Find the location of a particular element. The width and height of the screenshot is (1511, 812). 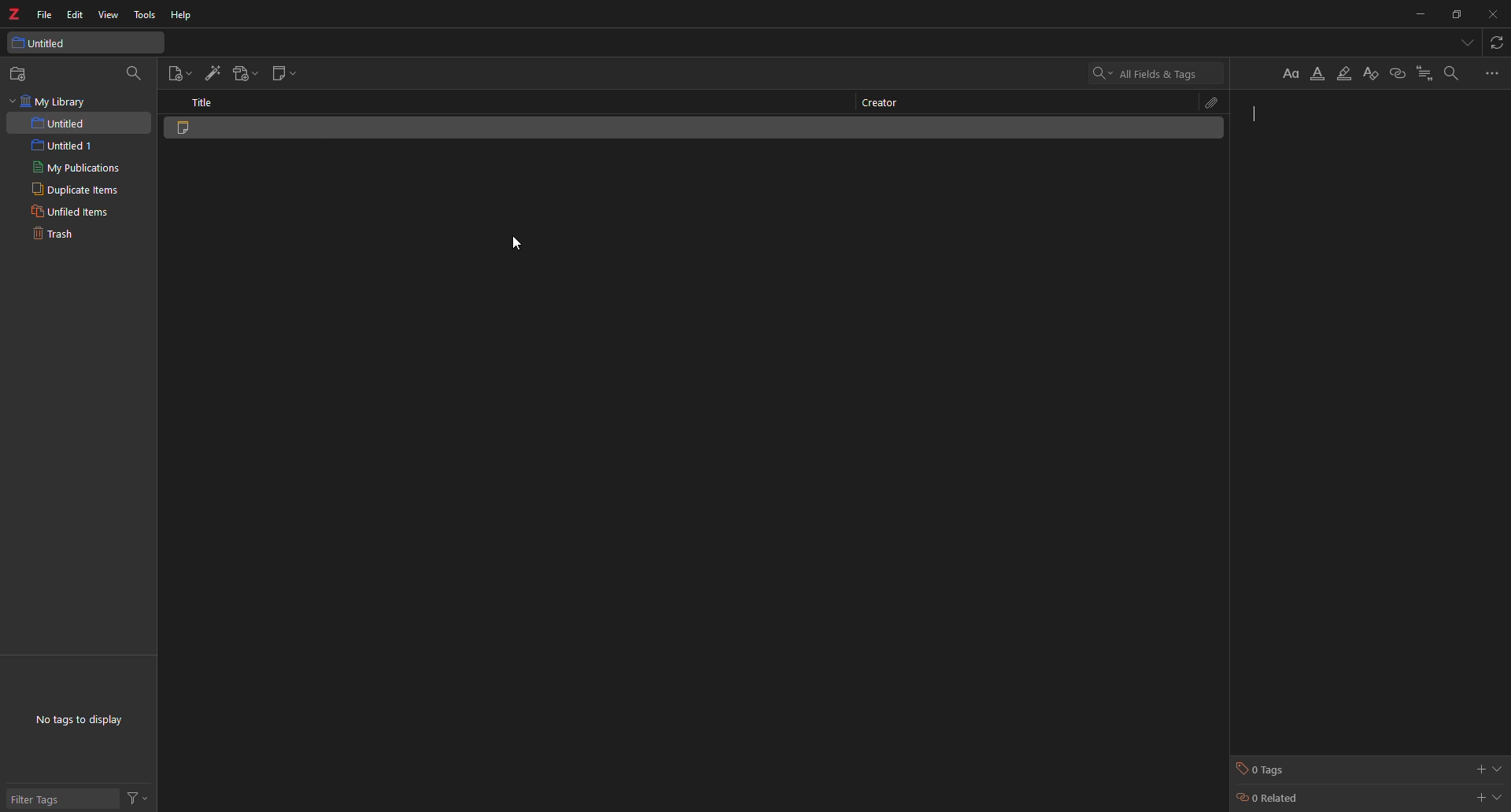

expand is located at coordinates (1499, 770).